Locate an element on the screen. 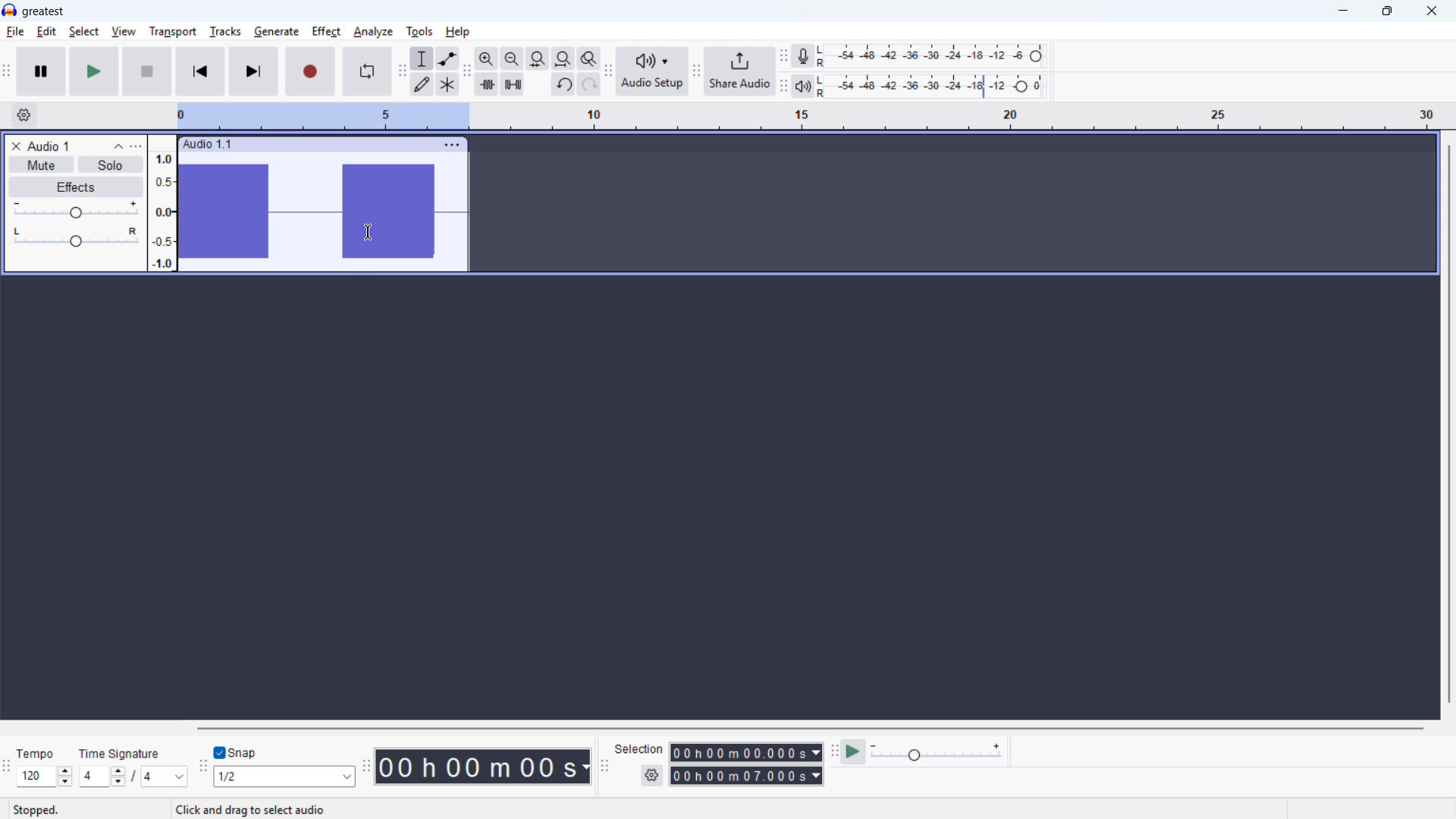 Image resolution: width=1456 pixels, height=819 pixels. effect is located at coordinates (326, 32).